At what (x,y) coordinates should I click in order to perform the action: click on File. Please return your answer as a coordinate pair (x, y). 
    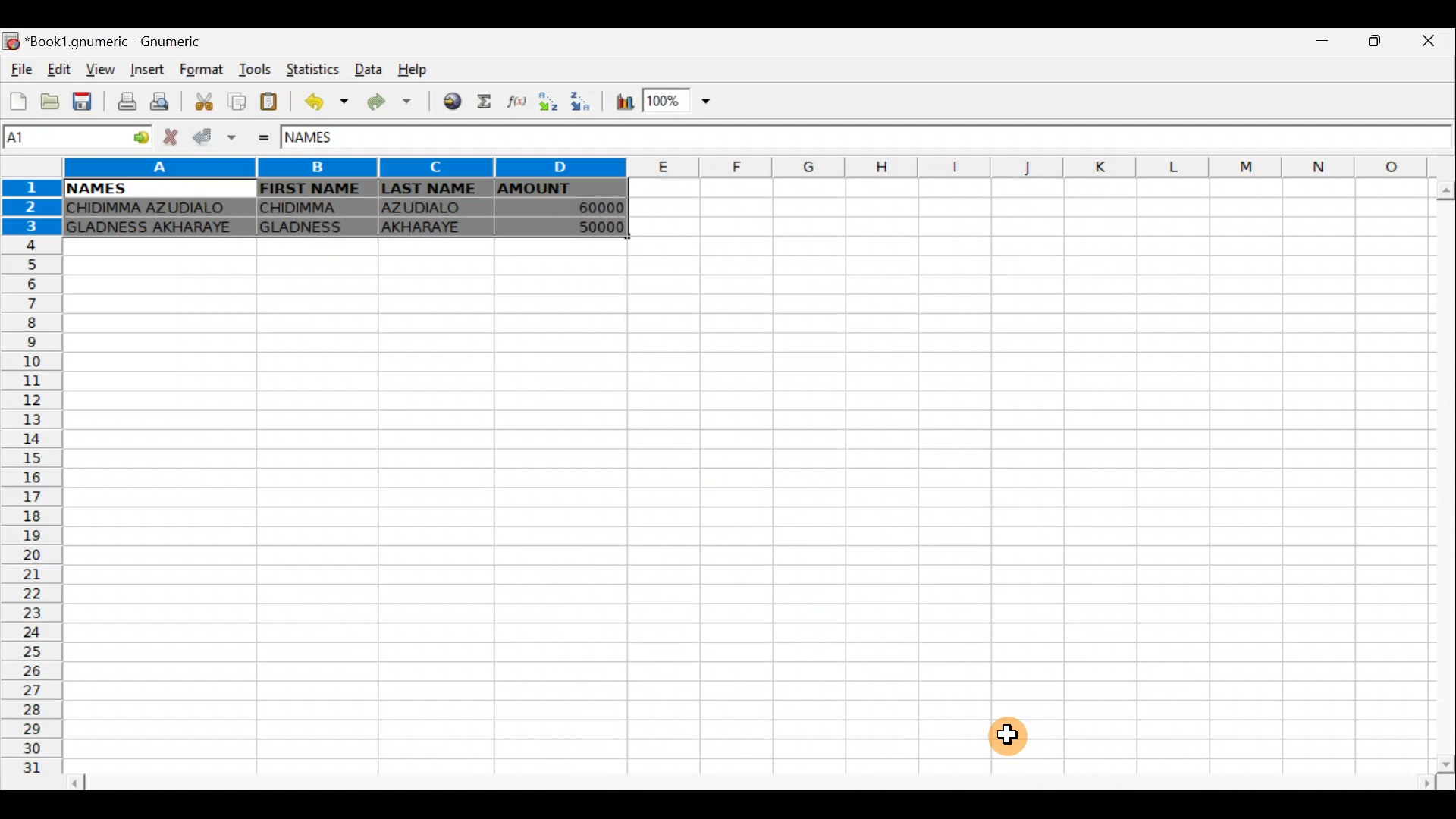
    Looking at the image, I should click on (21, 71).